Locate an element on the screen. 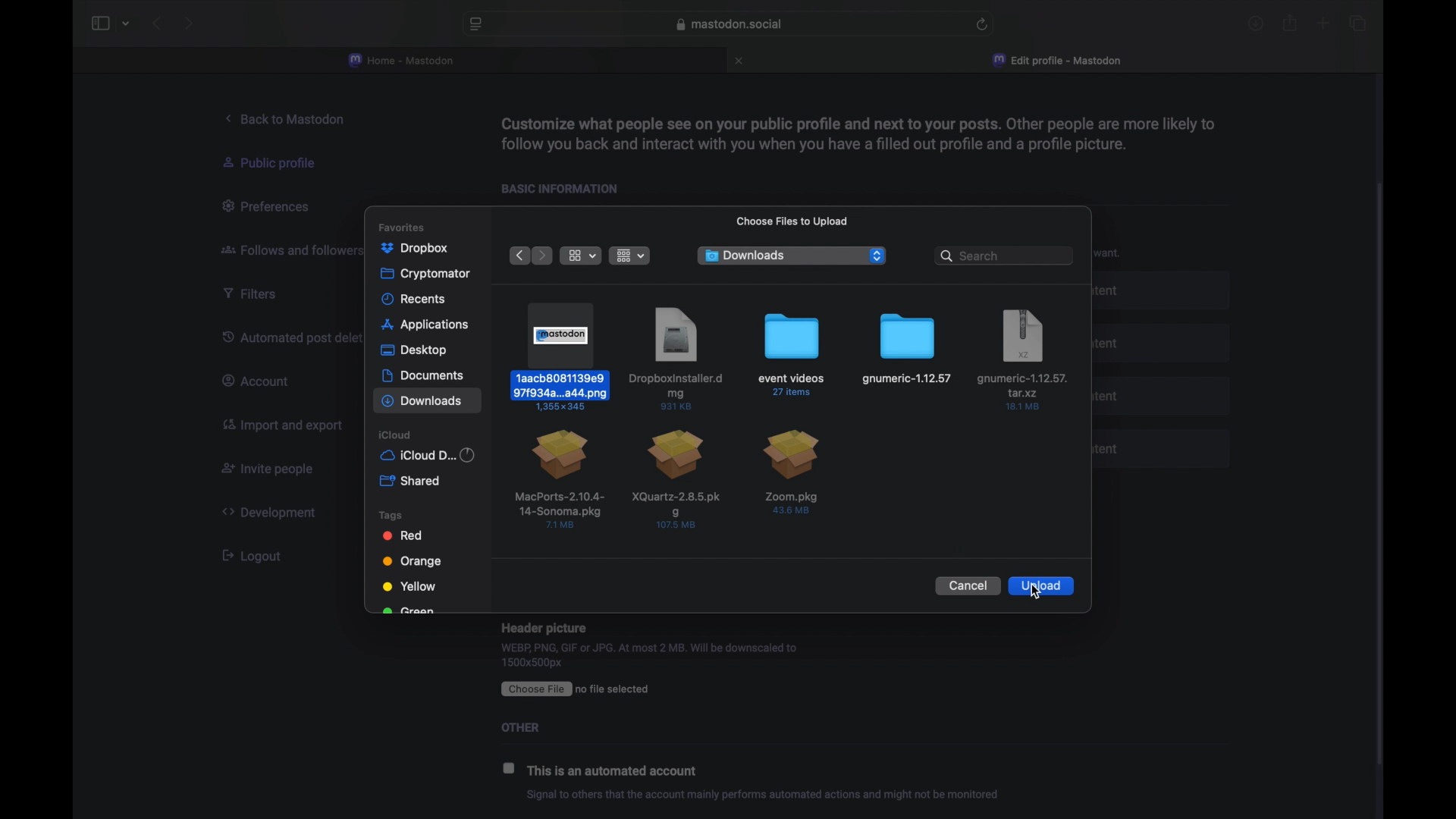 This screenshot has width=1456, height=819. favorites is located at coordinates (401, 227).